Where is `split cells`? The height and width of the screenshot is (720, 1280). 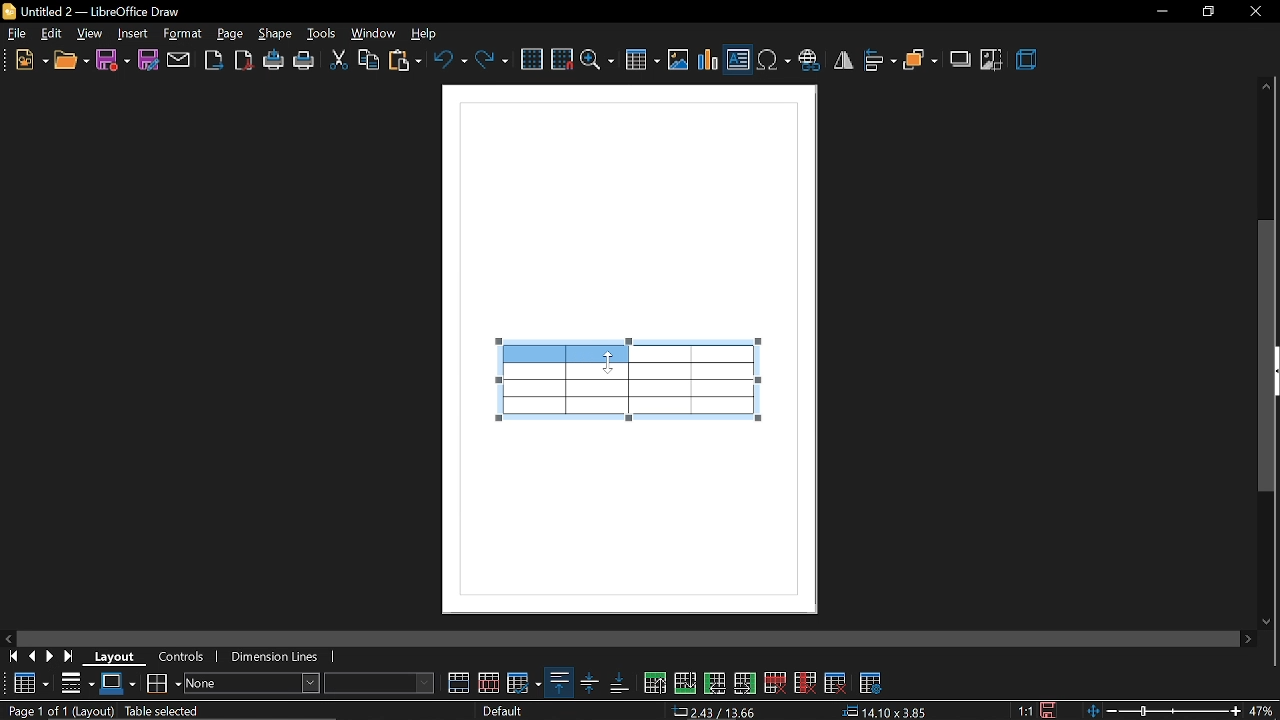 split cells is located at coordinates (490, 683).